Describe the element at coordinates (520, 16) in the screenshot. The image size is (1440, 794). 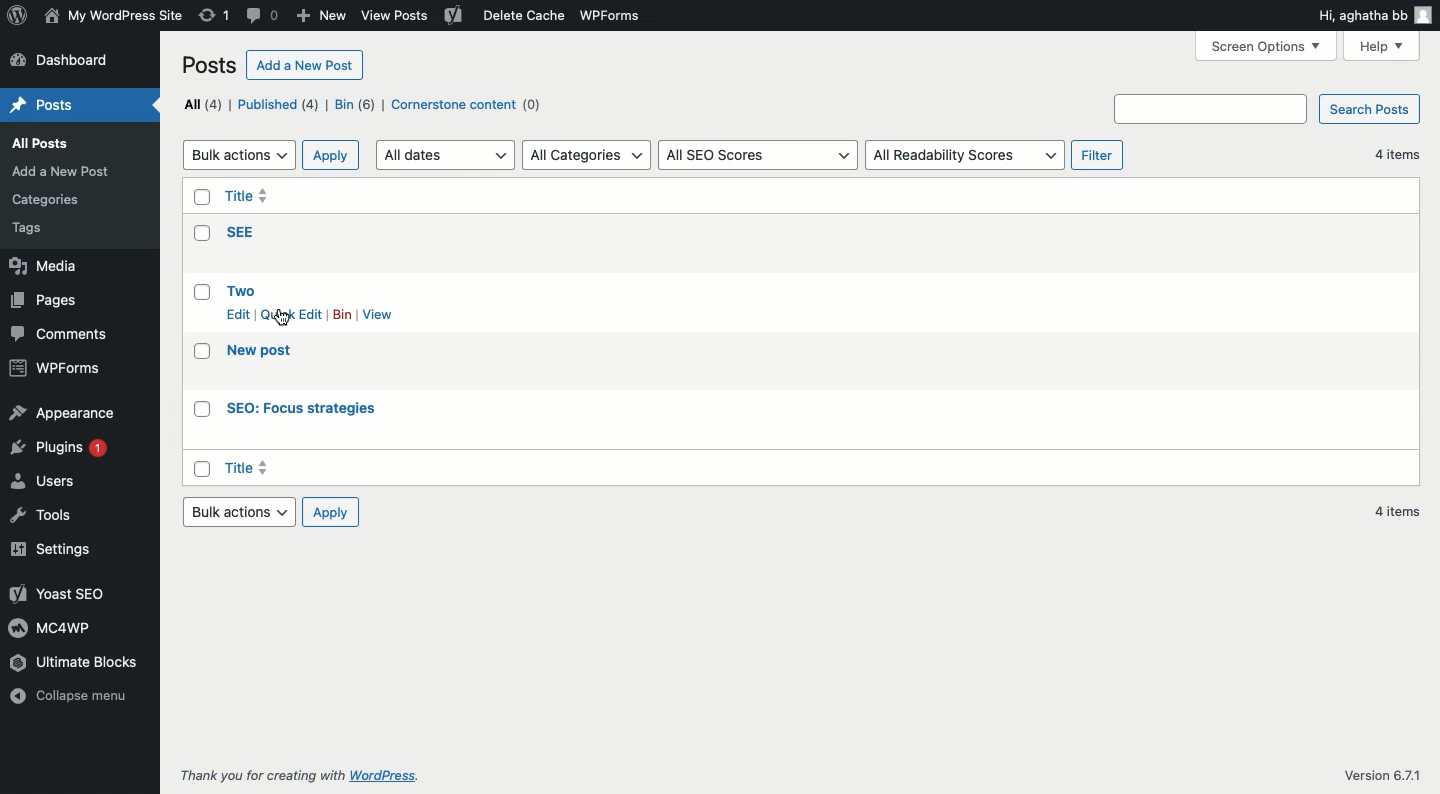
I see `Delete cache` at that location.